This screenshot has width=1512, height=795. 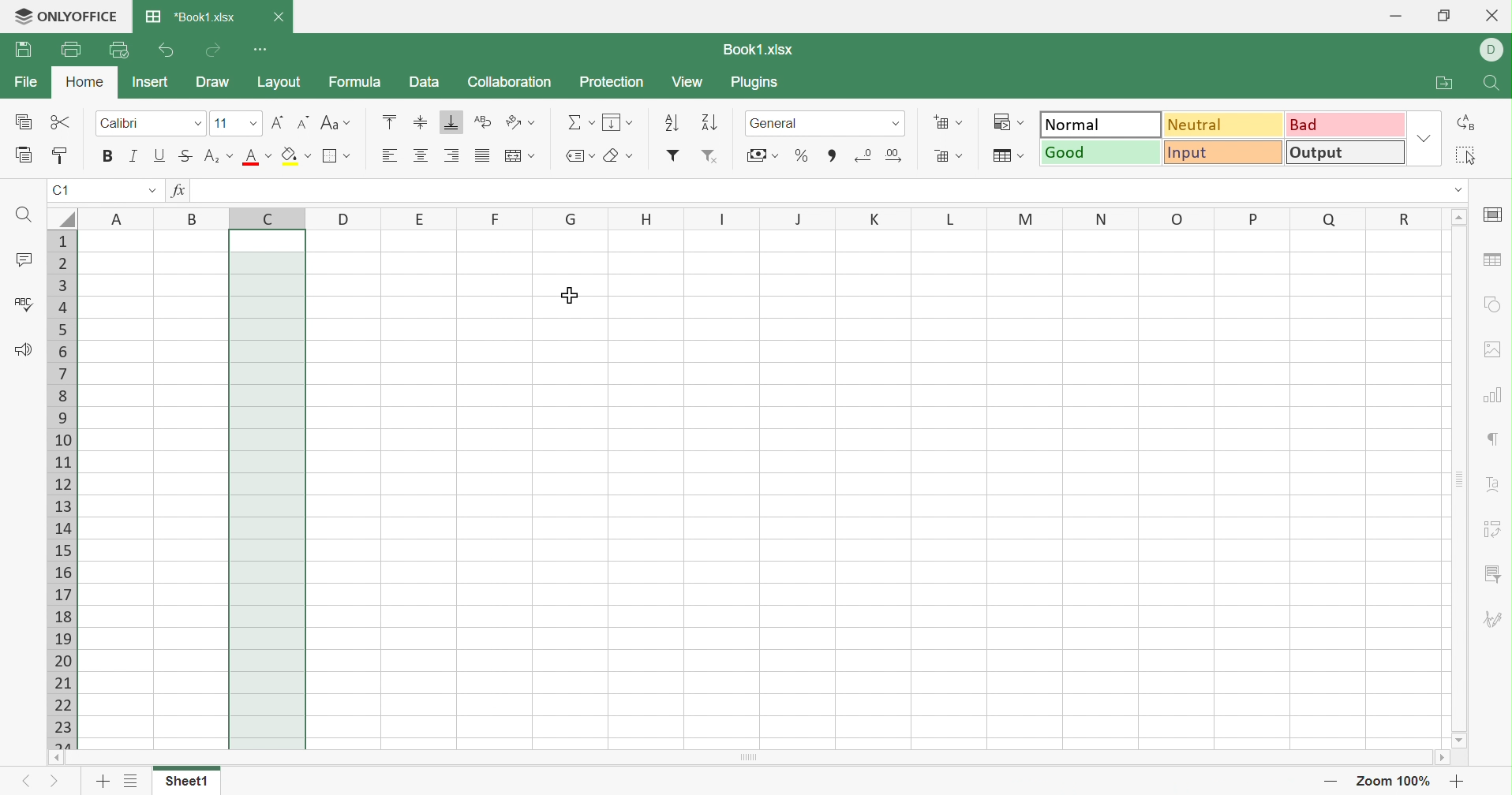 I want to click on Italic, so click(x=132, y=155).